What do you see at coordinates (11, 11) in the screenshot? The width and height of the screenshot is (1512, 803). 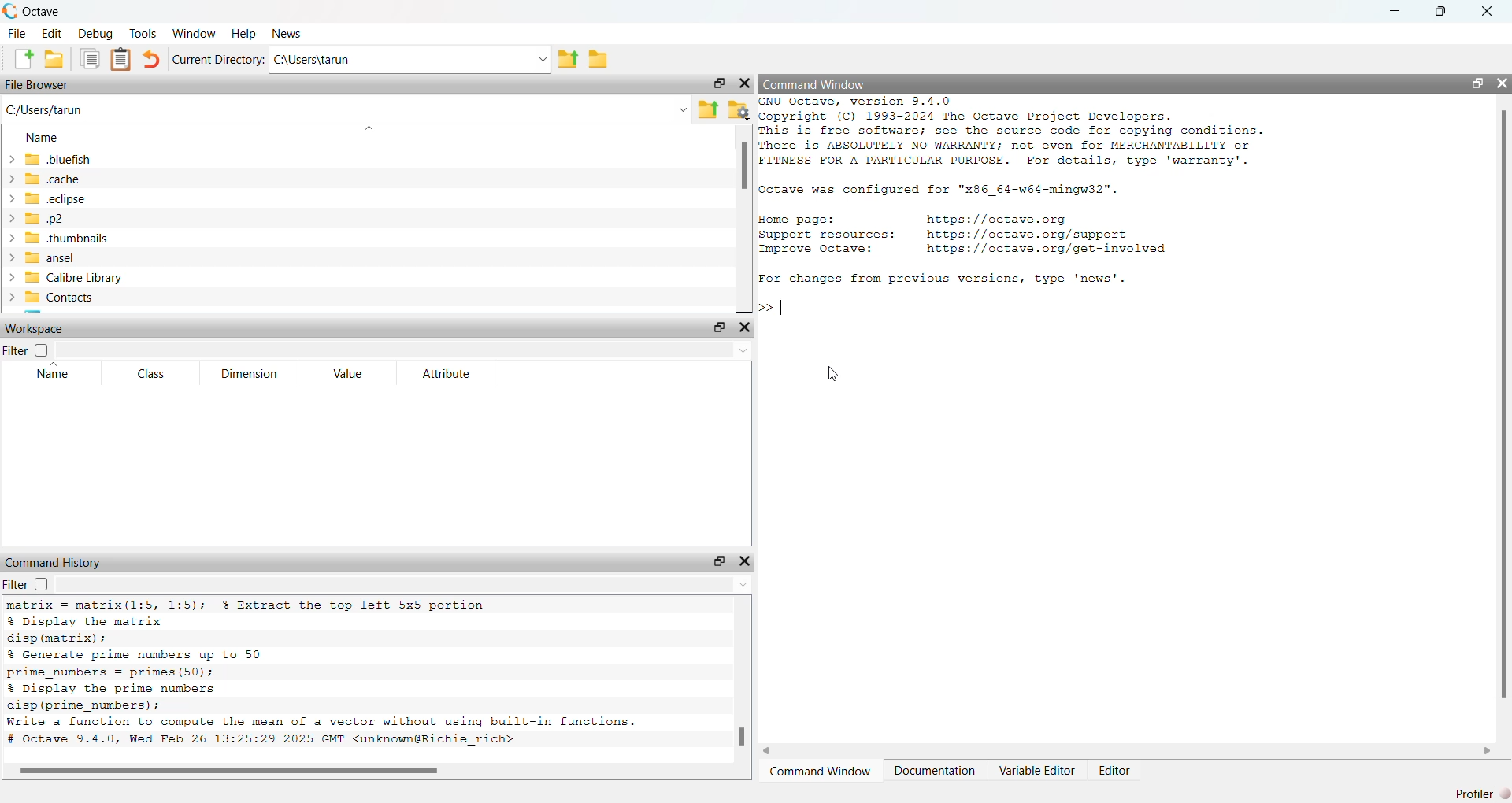 I see `logo` at bounding box center [11, 11].